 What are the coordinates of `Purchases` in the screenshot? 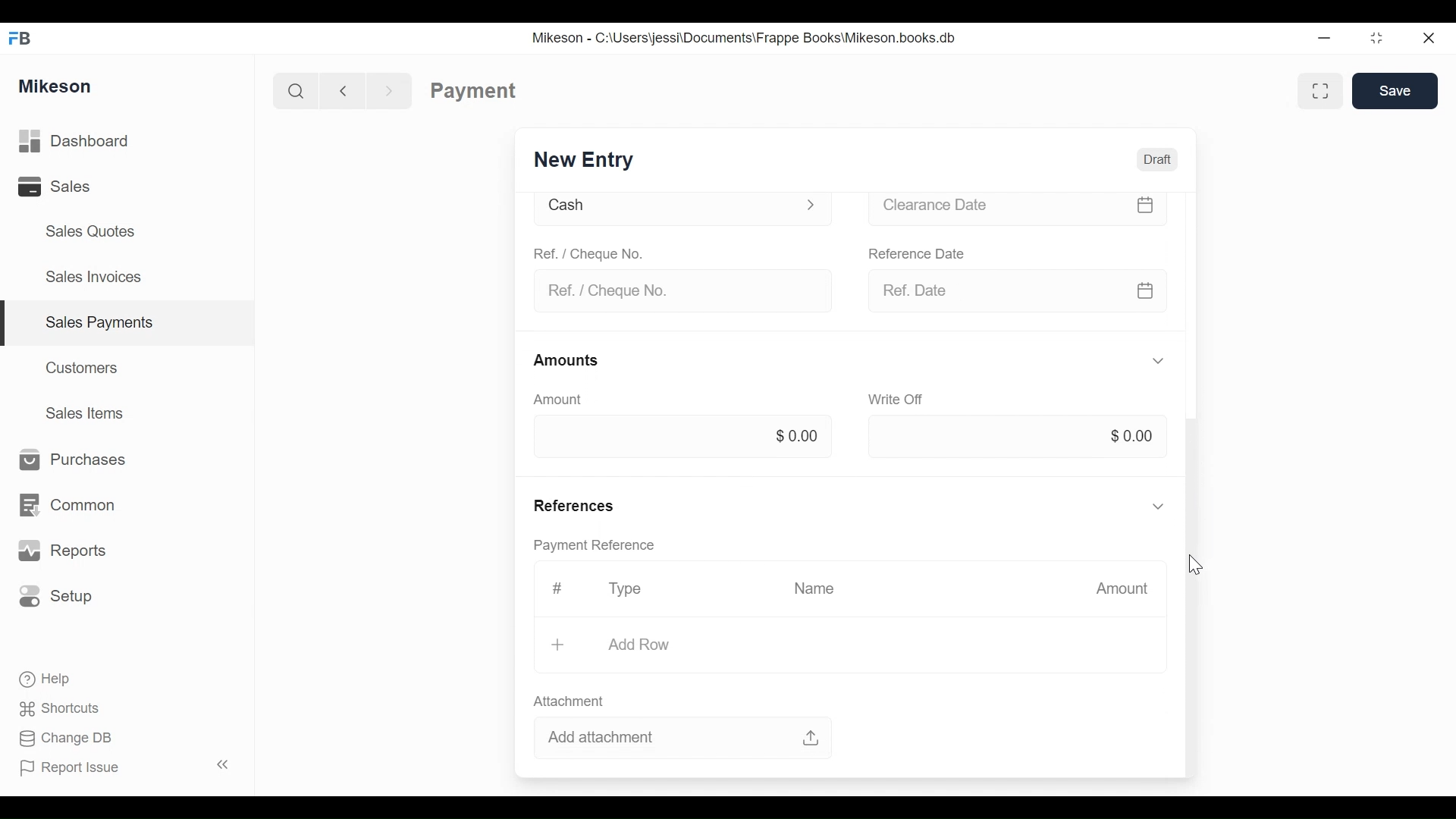 It's located at (72, 460).